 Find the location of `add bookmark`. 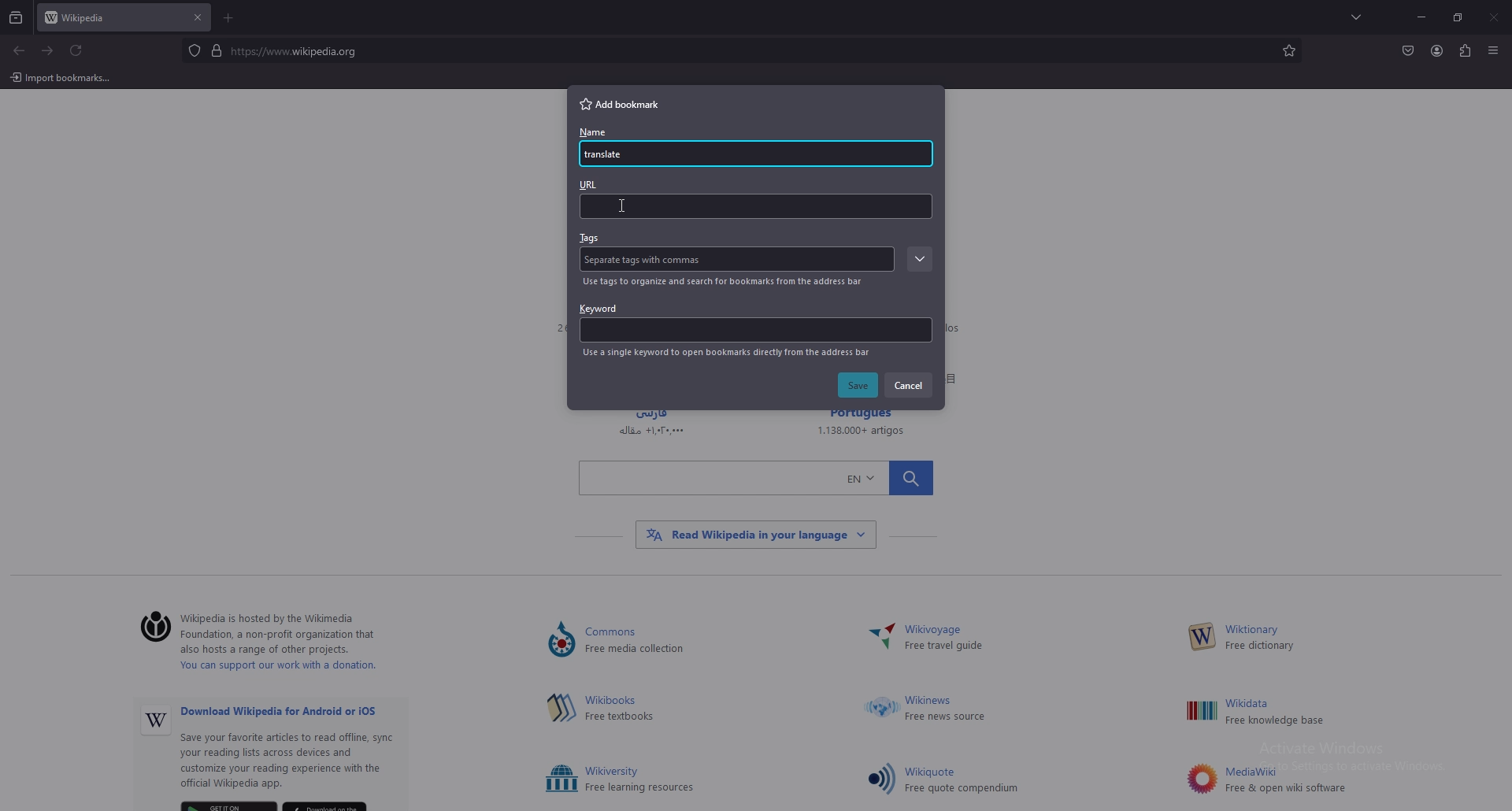

add bookmark is located at coordinates (626, 103).